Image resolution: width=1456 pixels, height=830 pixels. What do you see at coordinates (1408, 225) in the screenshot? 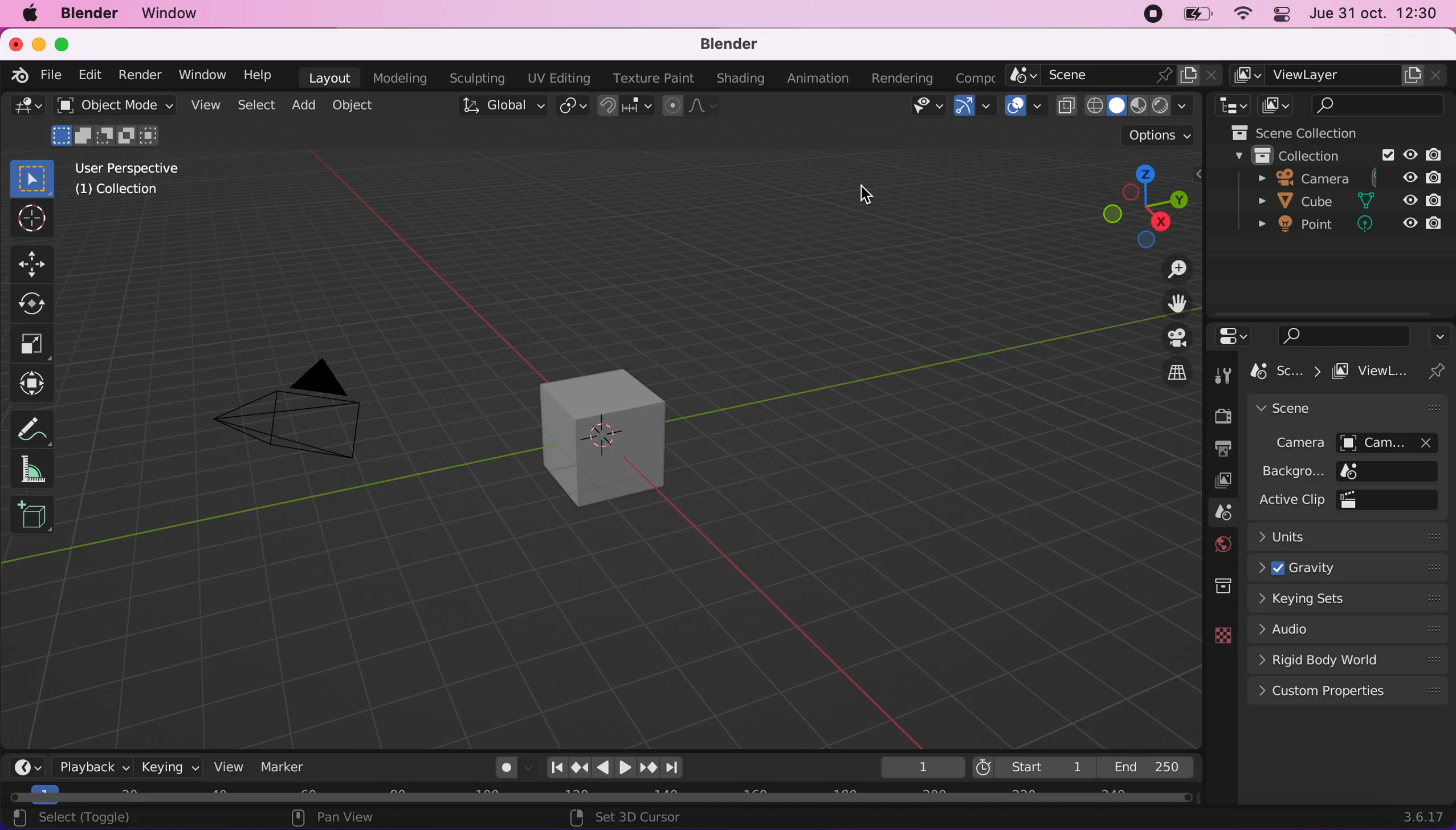
I see `hide in viewpoint` at bounding box center [1408, 225].